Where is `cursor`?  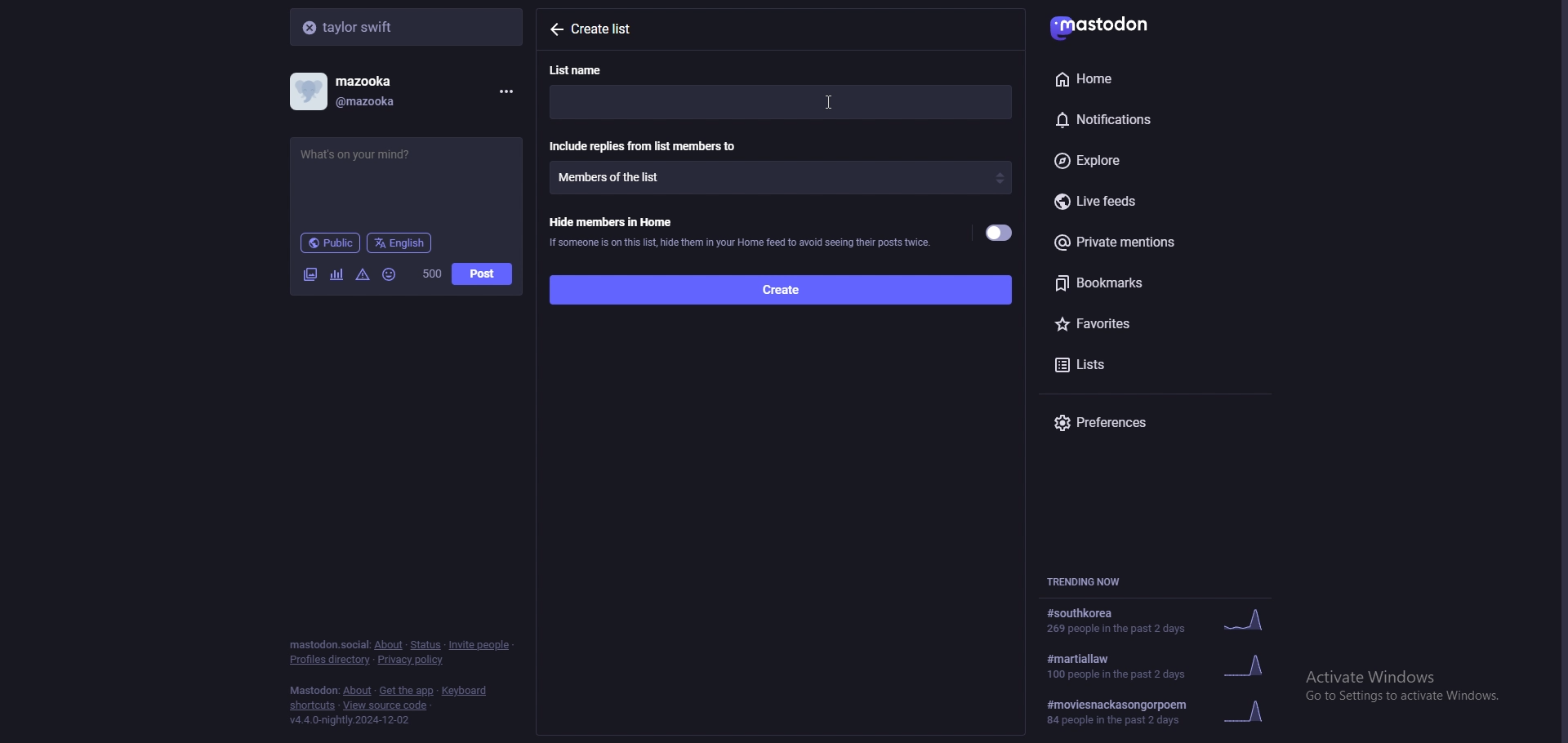
cursor is located at coordinates (834, 101).